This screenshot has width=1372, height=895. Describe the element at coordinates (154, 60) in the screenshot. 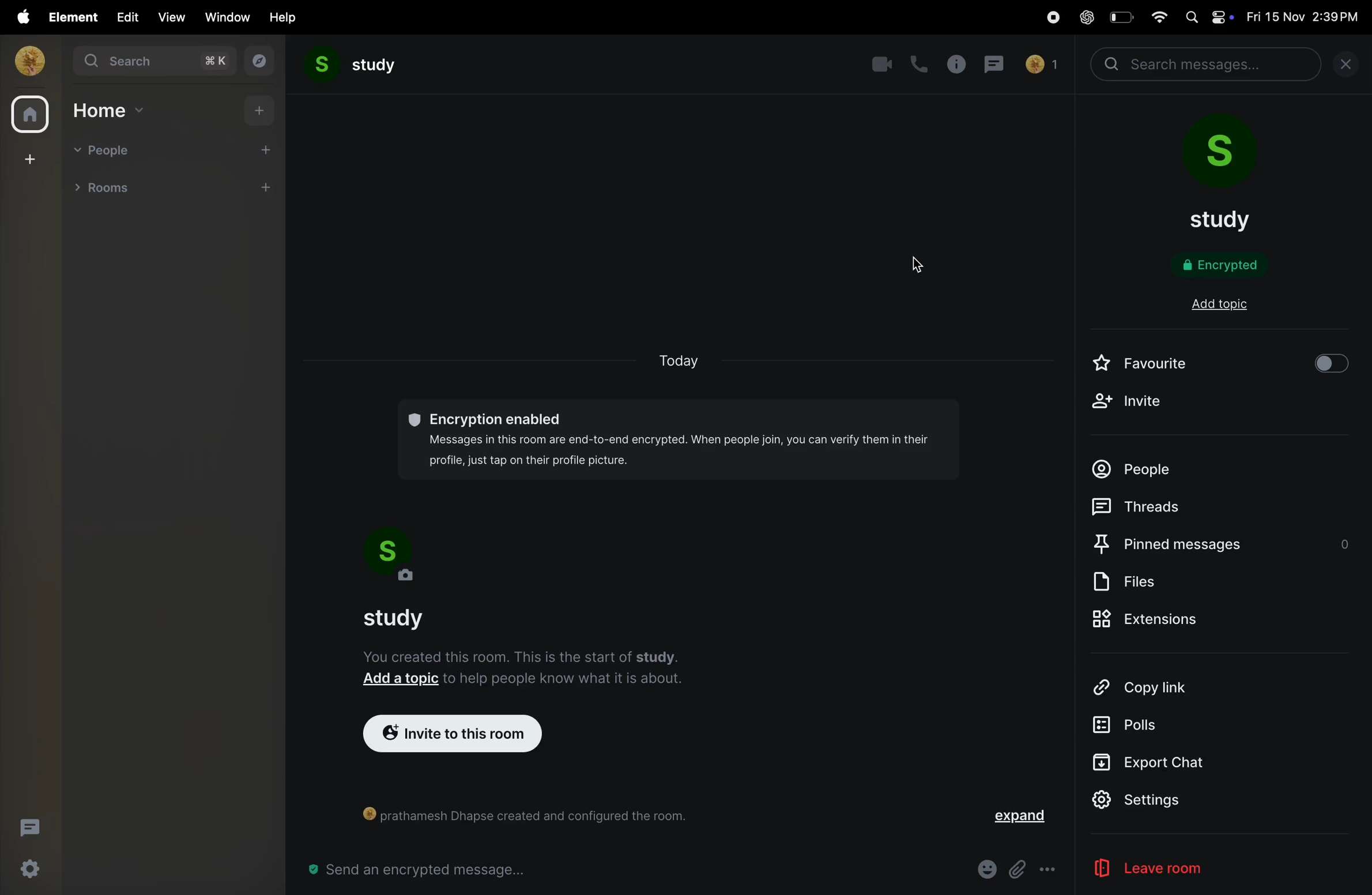

I see `search` at that location.